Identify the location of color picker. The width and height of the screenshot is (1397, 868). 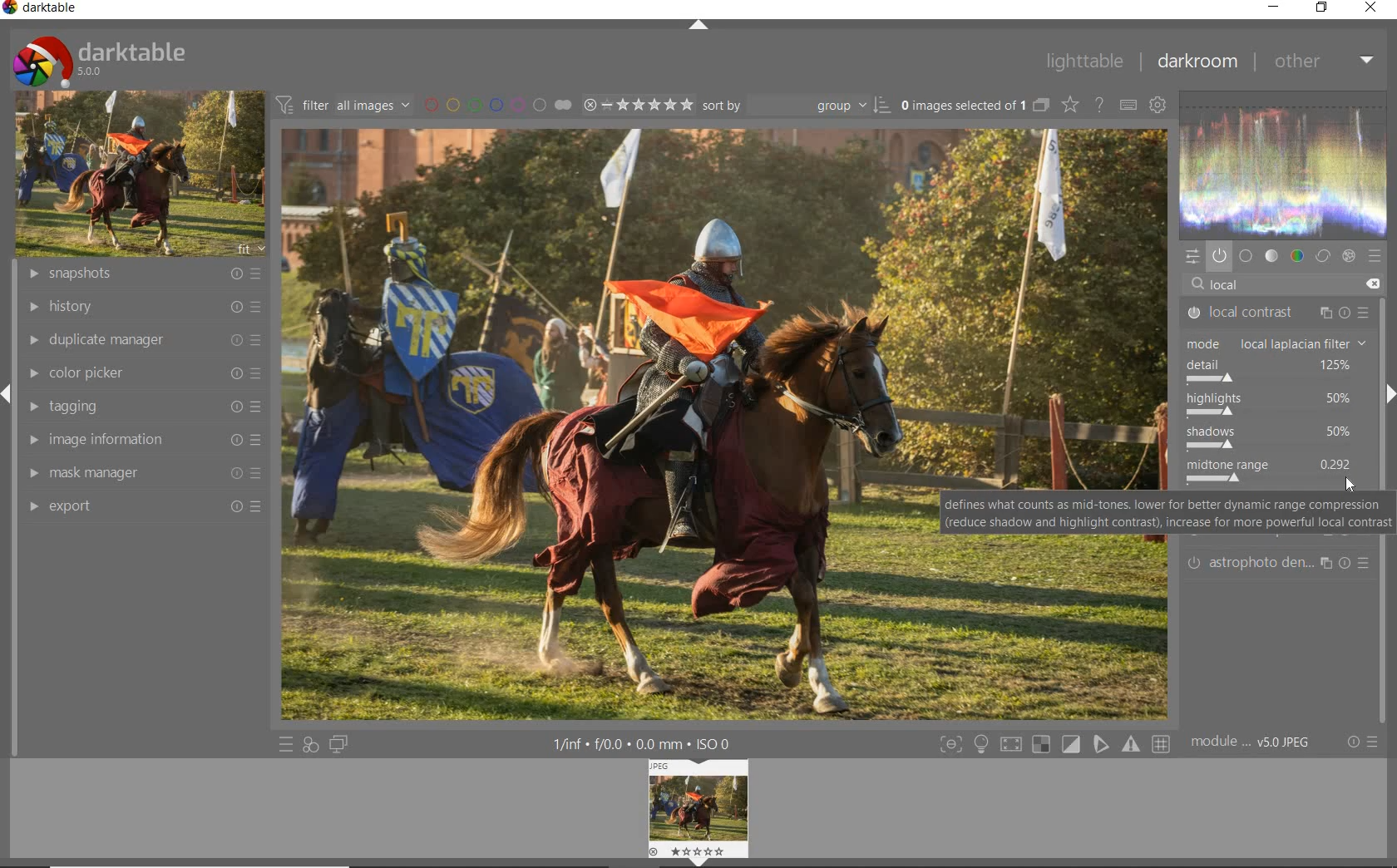
(142, 373).